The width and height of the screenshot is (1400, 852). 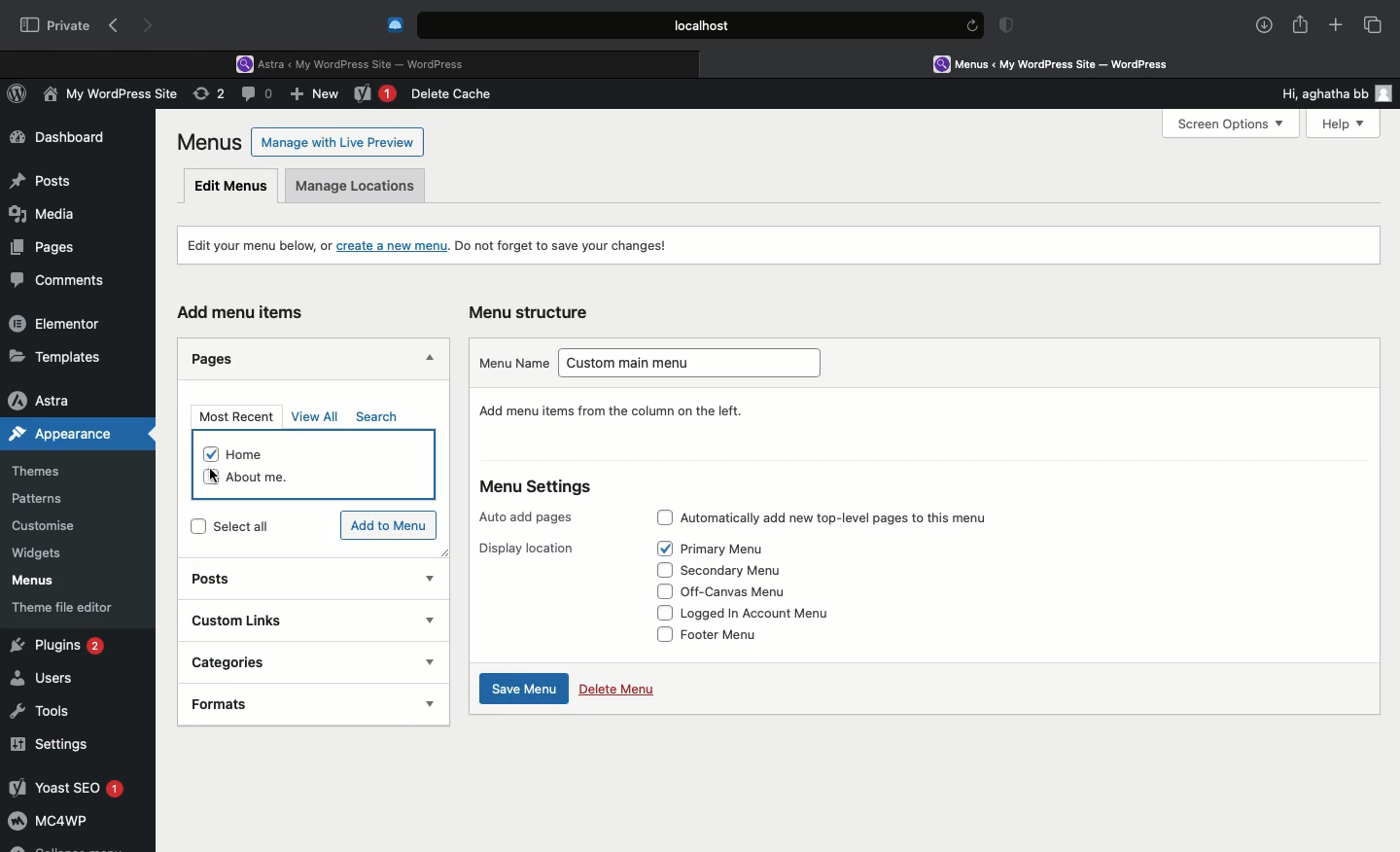 What do you see at coordinates (40, 176) in the screenshot?
I see `Posts` at bounding box center [40, 176].